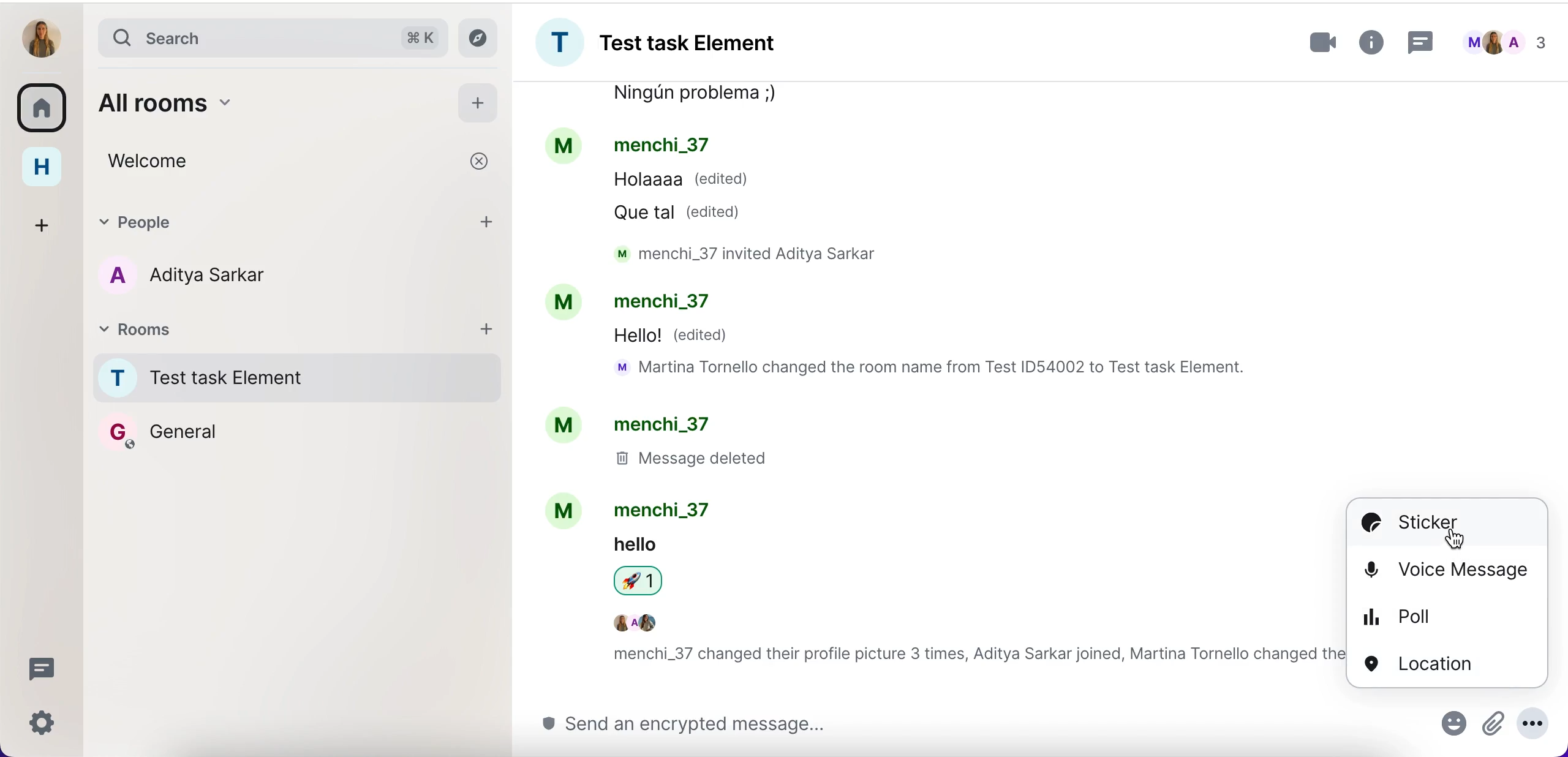 This screenshot has height=757, width=1568. Describe the element at coordinates (268, 333) in the screenshot. I see `rooms` at that location.